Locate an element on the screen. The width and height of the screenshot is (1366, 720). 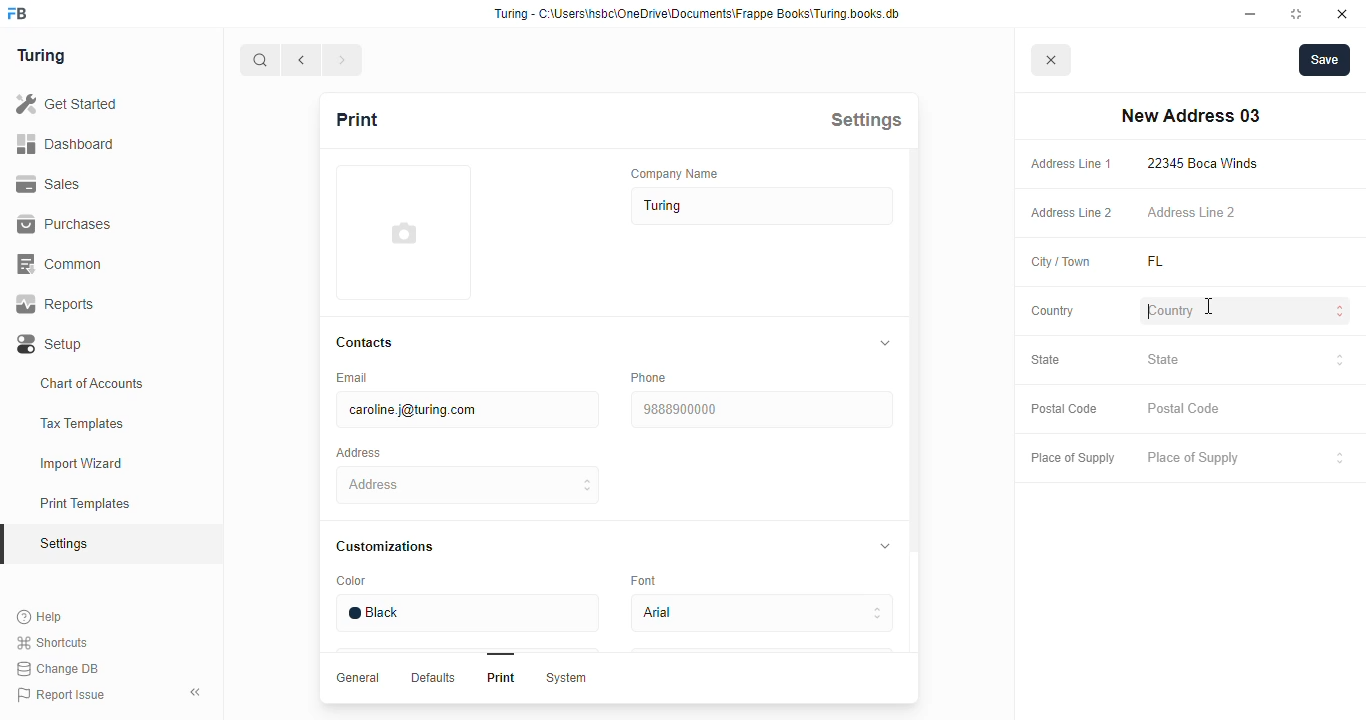
search is located at coordinates (260, 60).